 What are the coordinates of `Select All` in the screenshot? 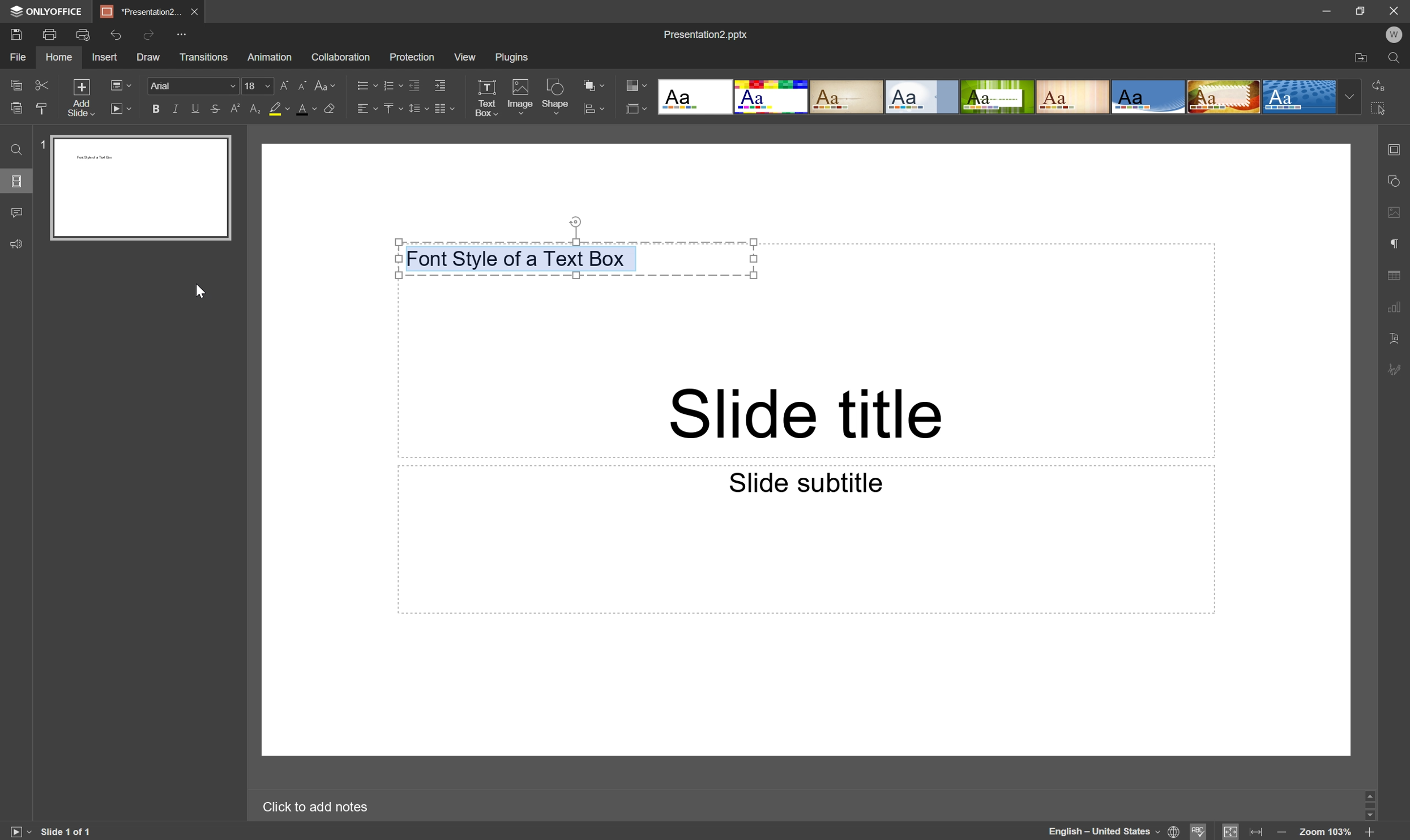 It's located at (1378, 108).